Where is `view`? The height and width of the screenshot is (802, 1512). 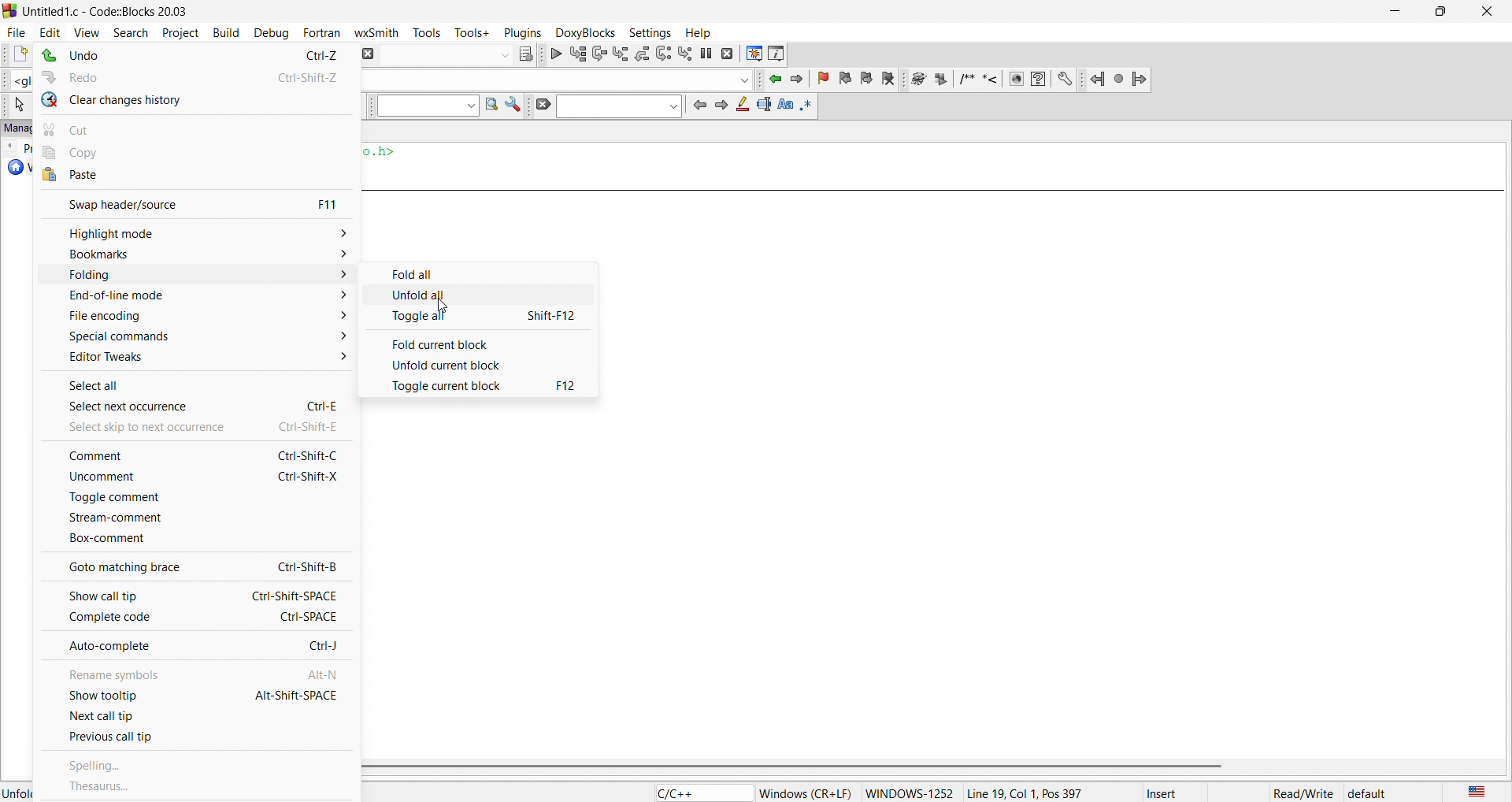 view is located at coordinates (87, 31).